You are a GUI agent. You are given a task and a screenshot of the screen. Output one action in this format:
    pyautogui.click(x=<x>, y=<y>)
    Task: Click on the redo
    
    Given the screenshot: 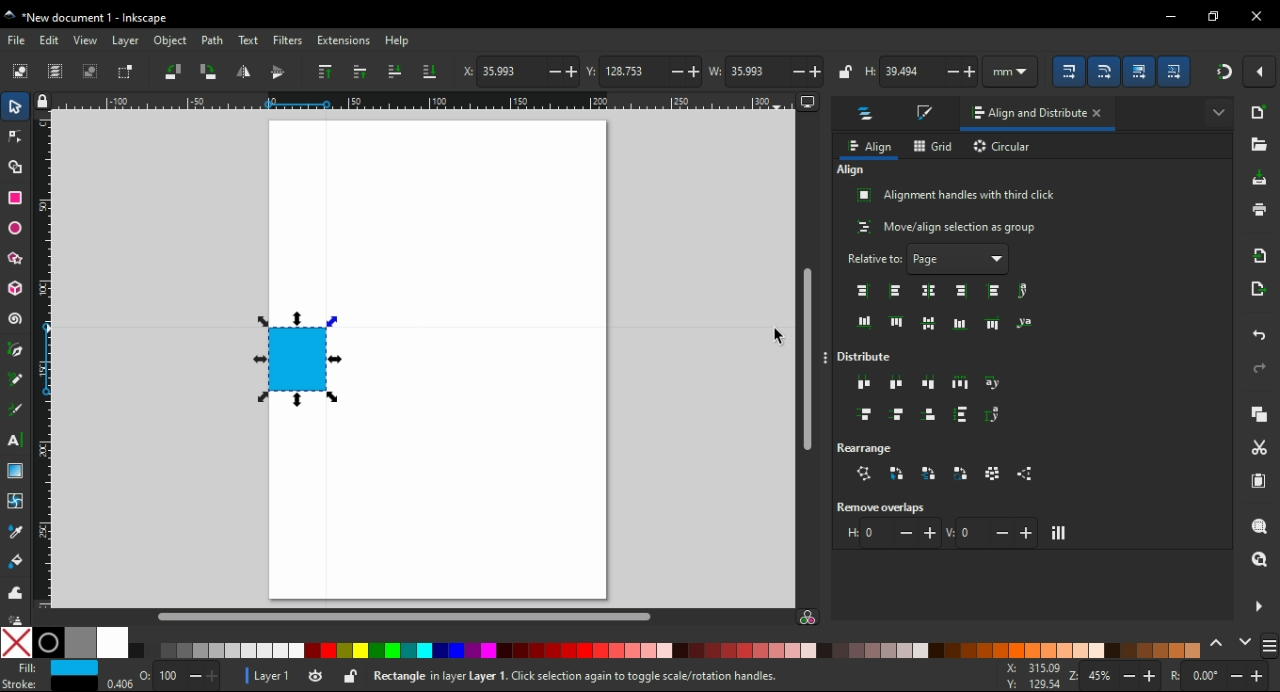 What is the action you would take?
    pyautogui.click(x=1258, y=368)
    